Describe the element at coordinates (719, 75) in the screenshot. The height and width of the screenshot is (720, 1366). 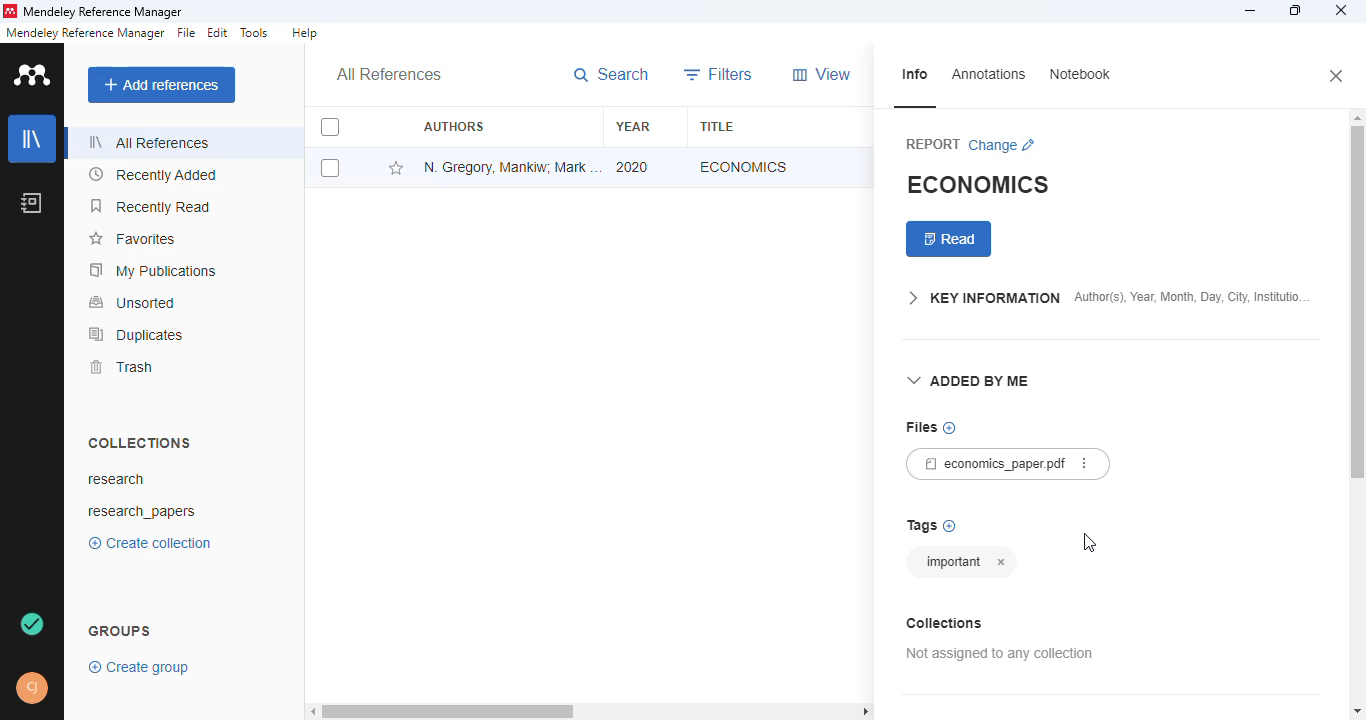
I see `filters` at that location.